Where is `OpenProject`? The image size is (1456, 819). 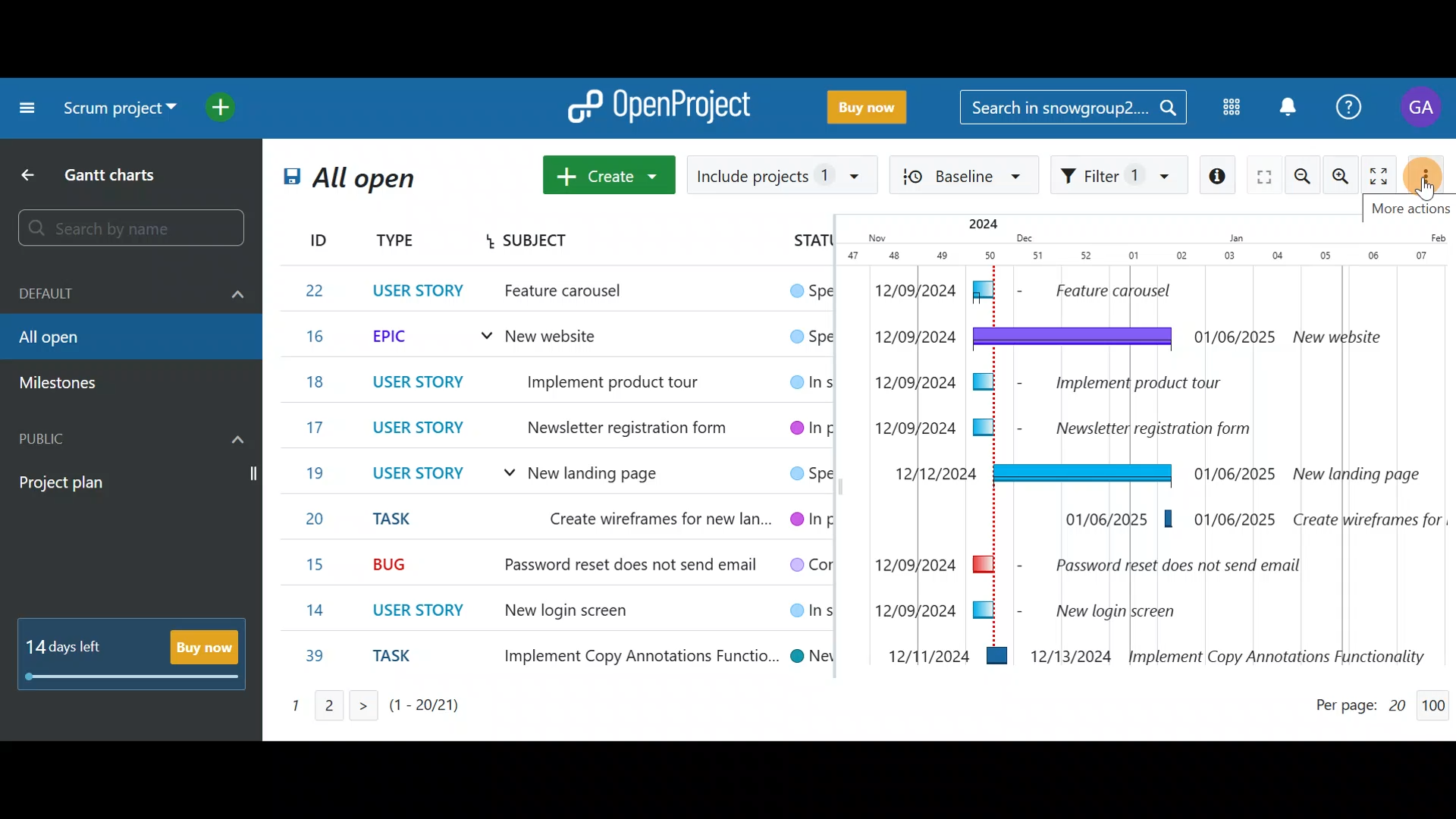 OpenProject is located at coordinates (664, 104).